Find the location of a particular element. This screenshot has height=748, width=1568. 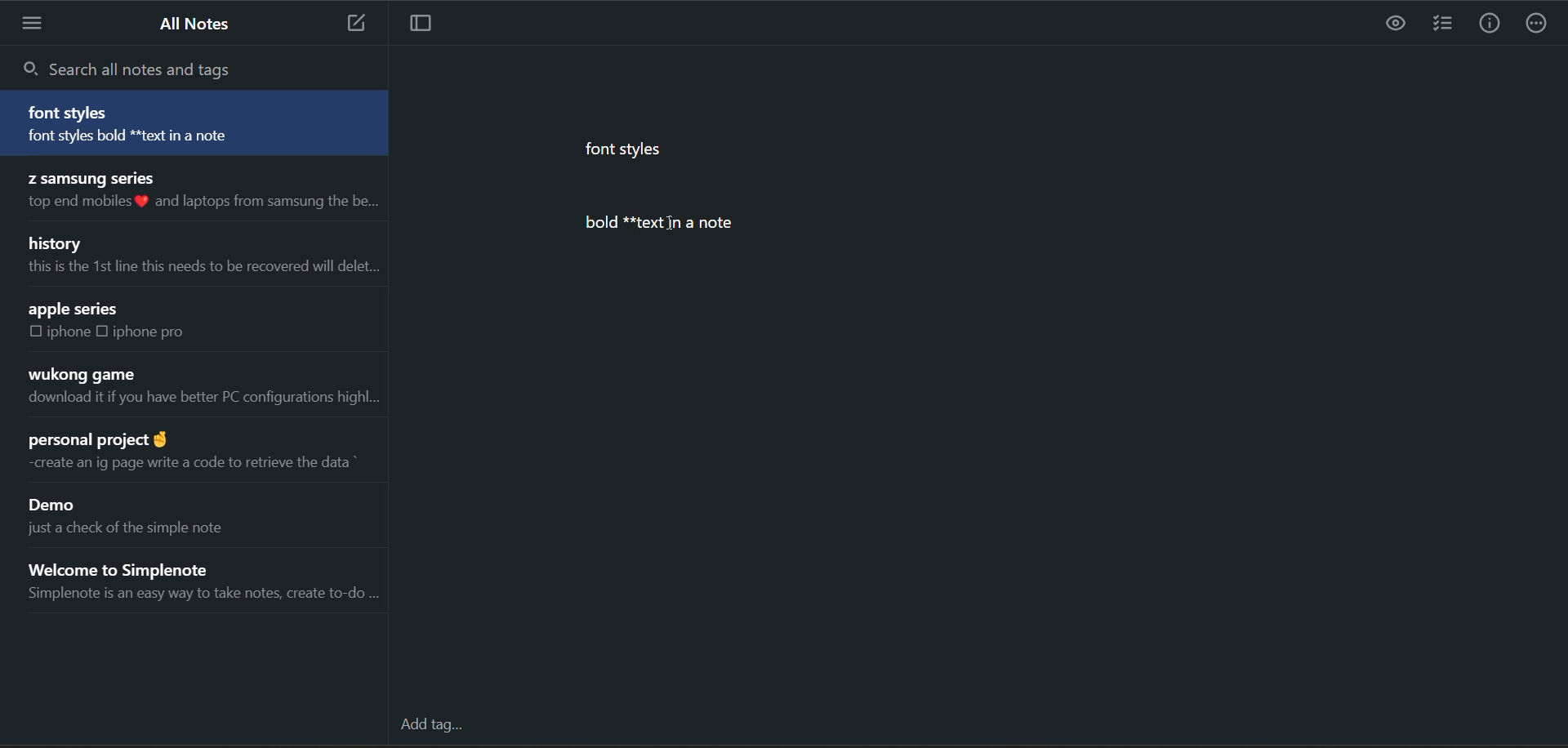

~create an ig page write a code to retrieve the data * is located at coordinates (188, 462).